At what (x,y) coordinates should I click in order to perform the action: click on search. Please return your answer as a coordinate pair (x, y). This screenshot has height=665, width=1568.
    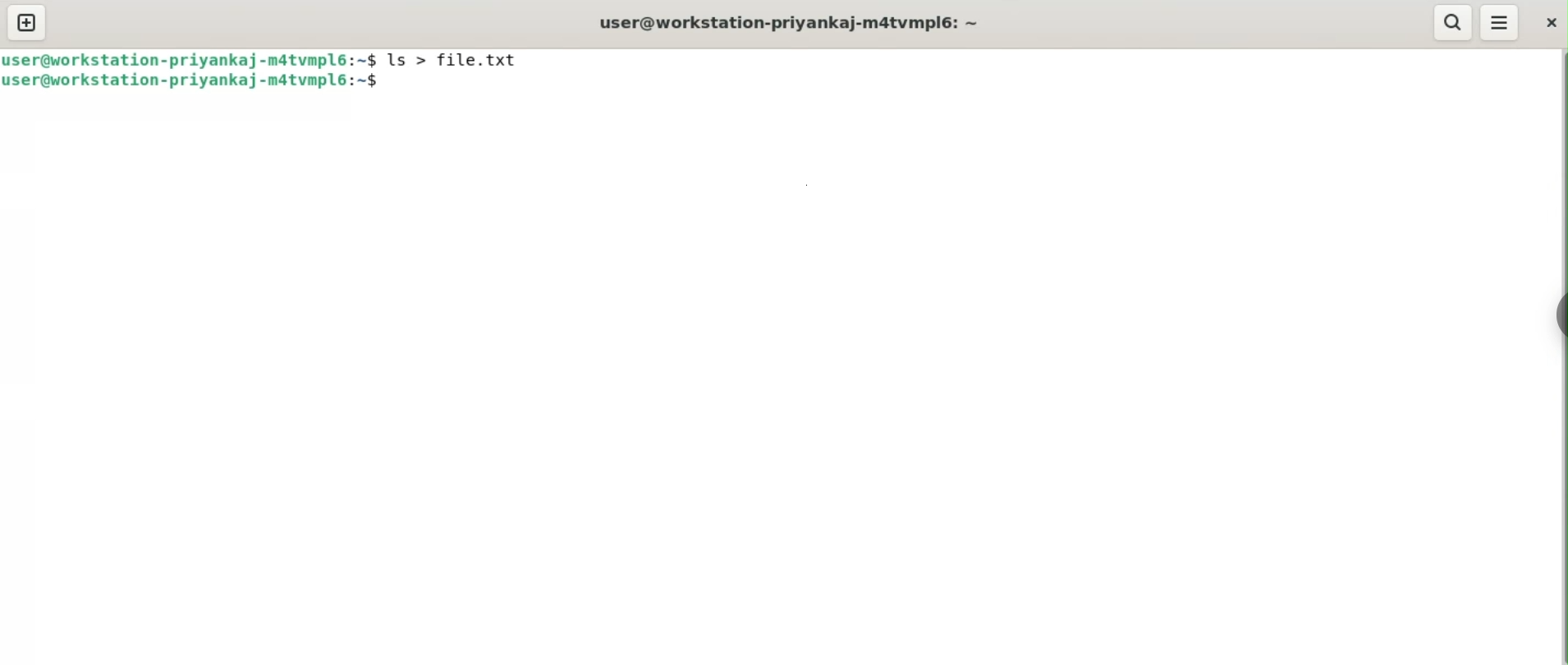
    Looking at the image, I should click on (1454, 21).